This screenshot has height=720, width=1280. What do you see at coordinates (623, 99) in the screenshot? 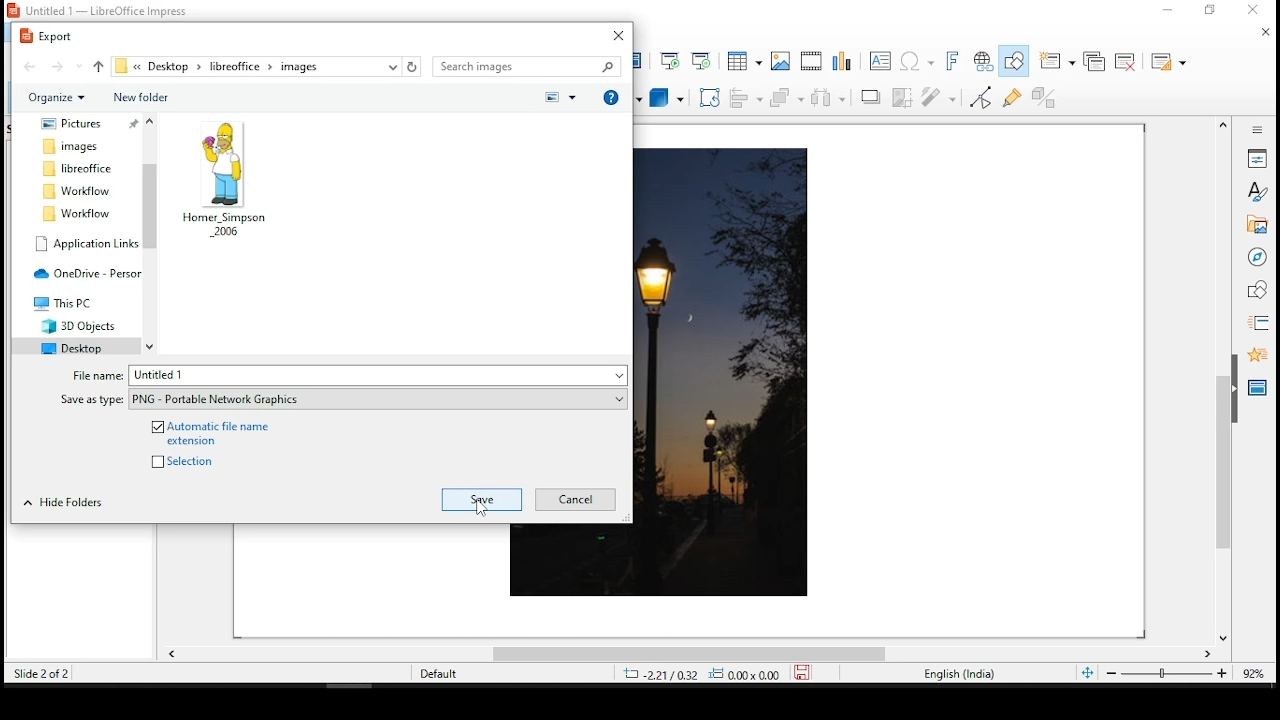
I see `stars and banners` at bounding box center [623, 99].